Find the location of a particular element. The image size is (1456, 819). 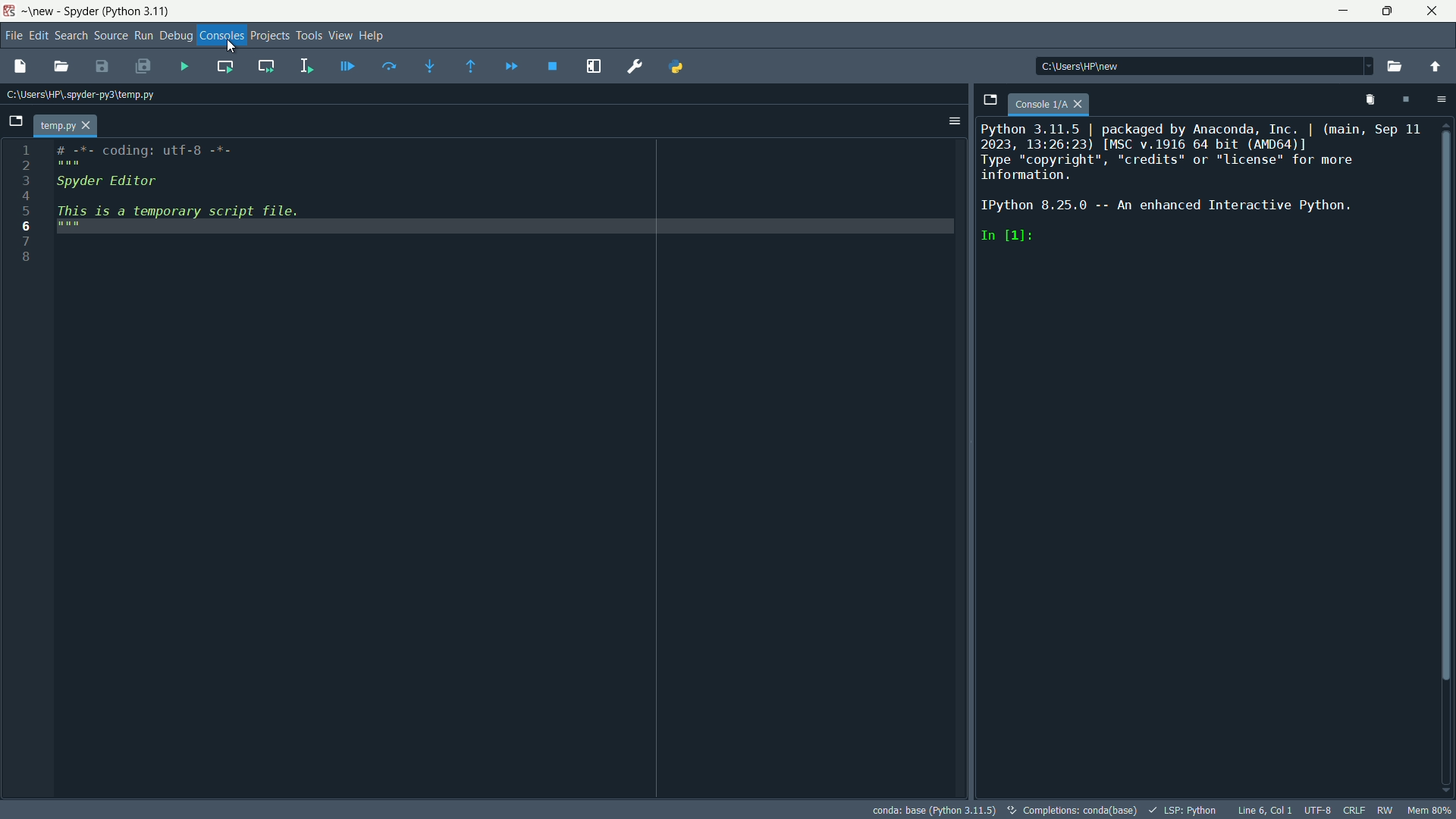

view menu is located at coordinates (340, 36).